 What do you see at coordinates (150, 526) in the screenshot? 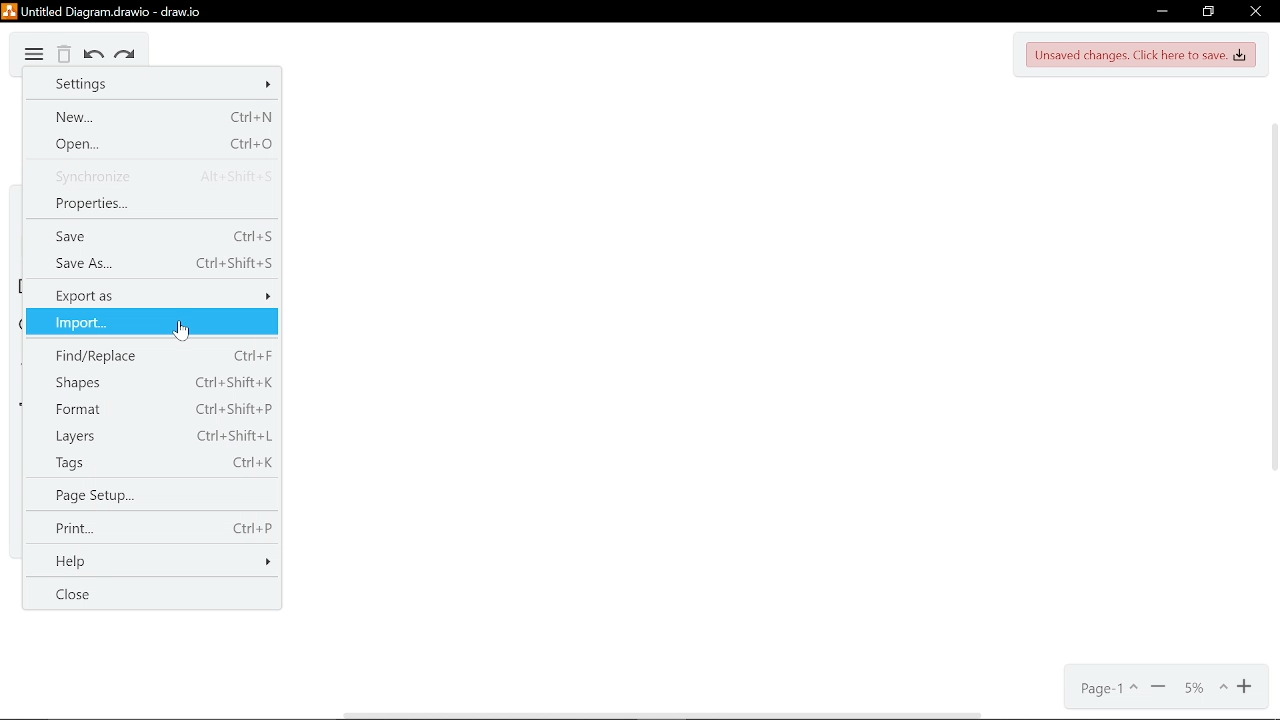
I see `Print (shortcut Ctrl+P)` at bounding box center [150, 526].